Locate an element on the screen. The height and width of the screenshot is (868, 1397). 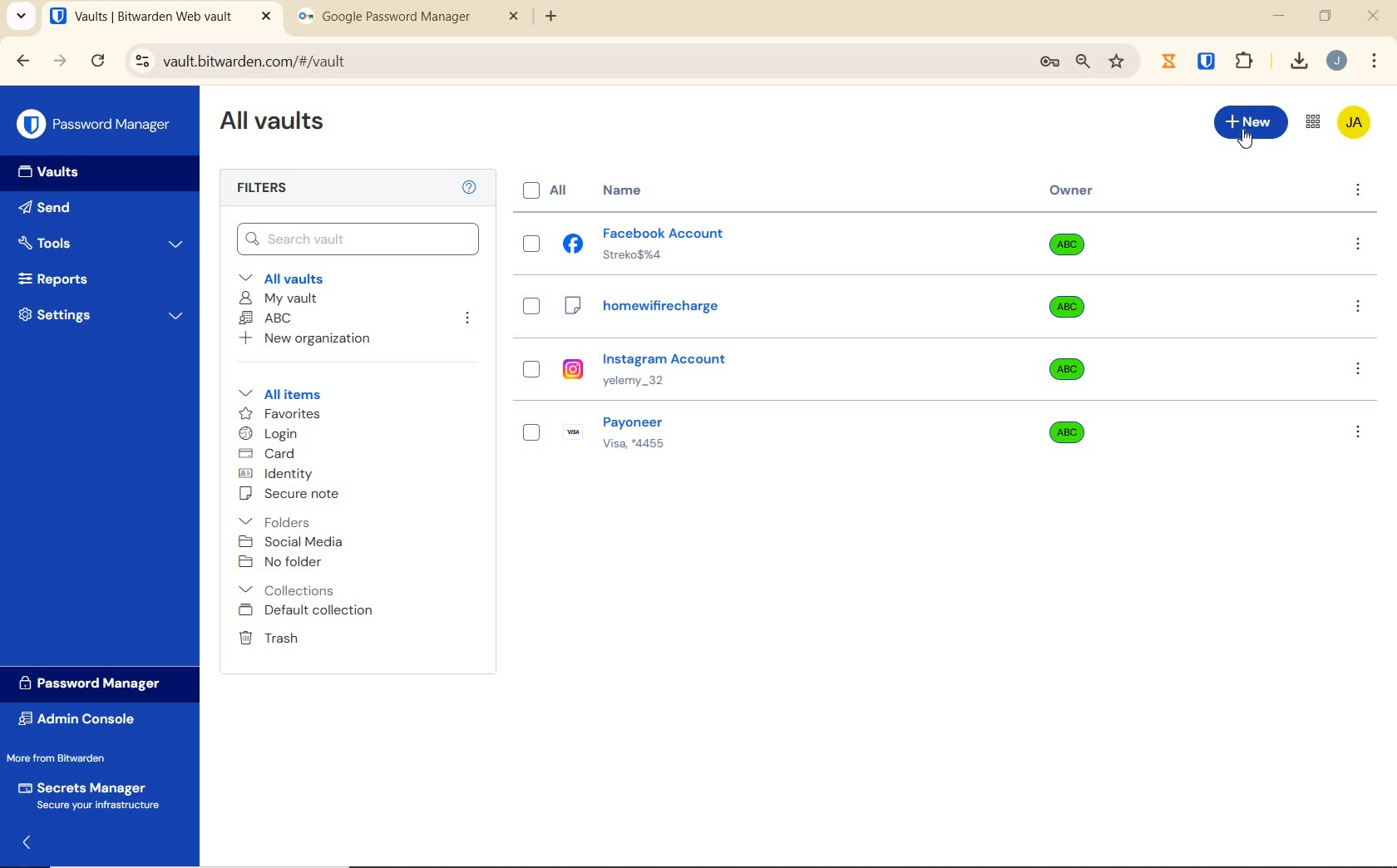
option is located at coordinates (1361, 245).